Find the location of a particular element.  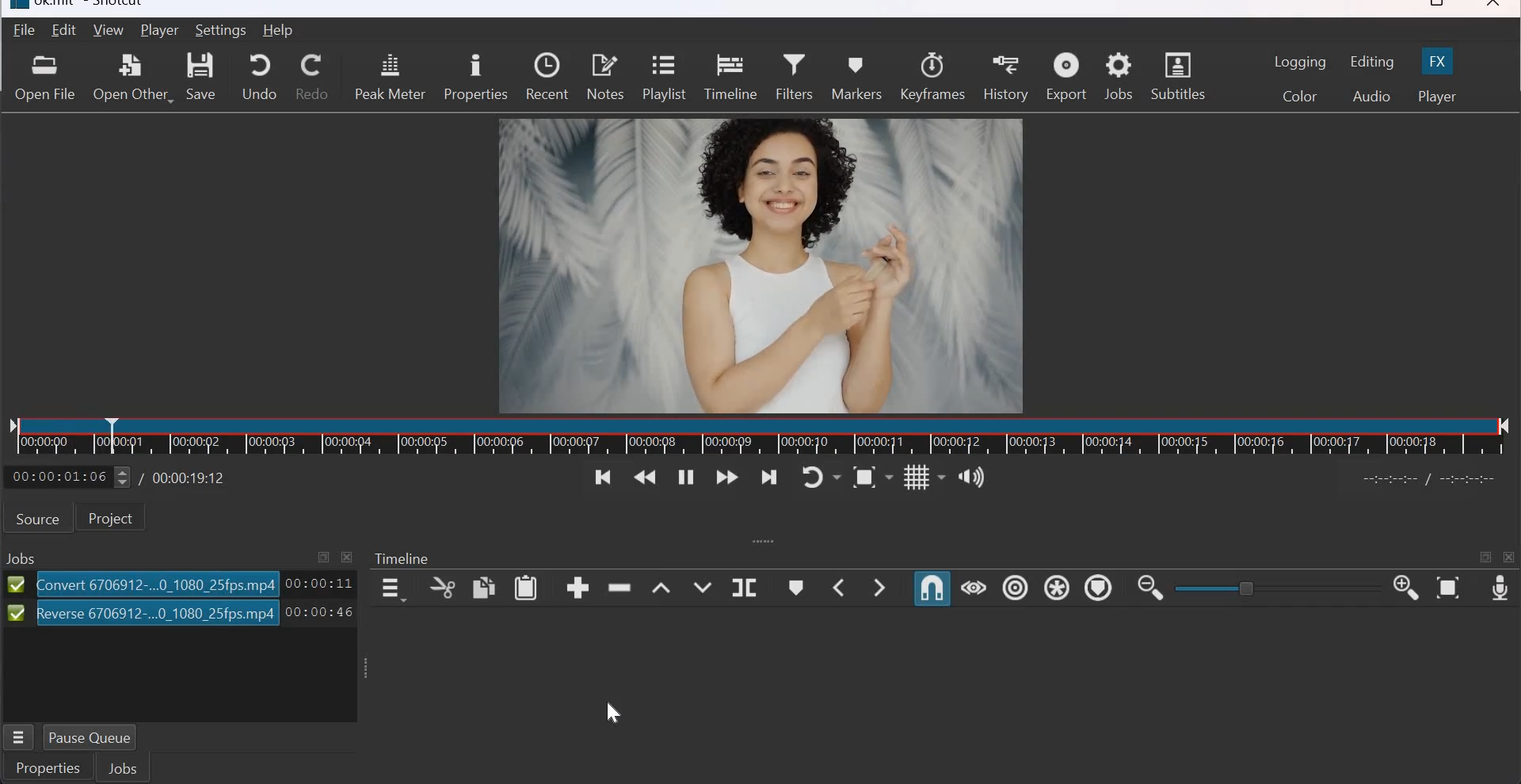

cursor is located at coordinates (616, 712).